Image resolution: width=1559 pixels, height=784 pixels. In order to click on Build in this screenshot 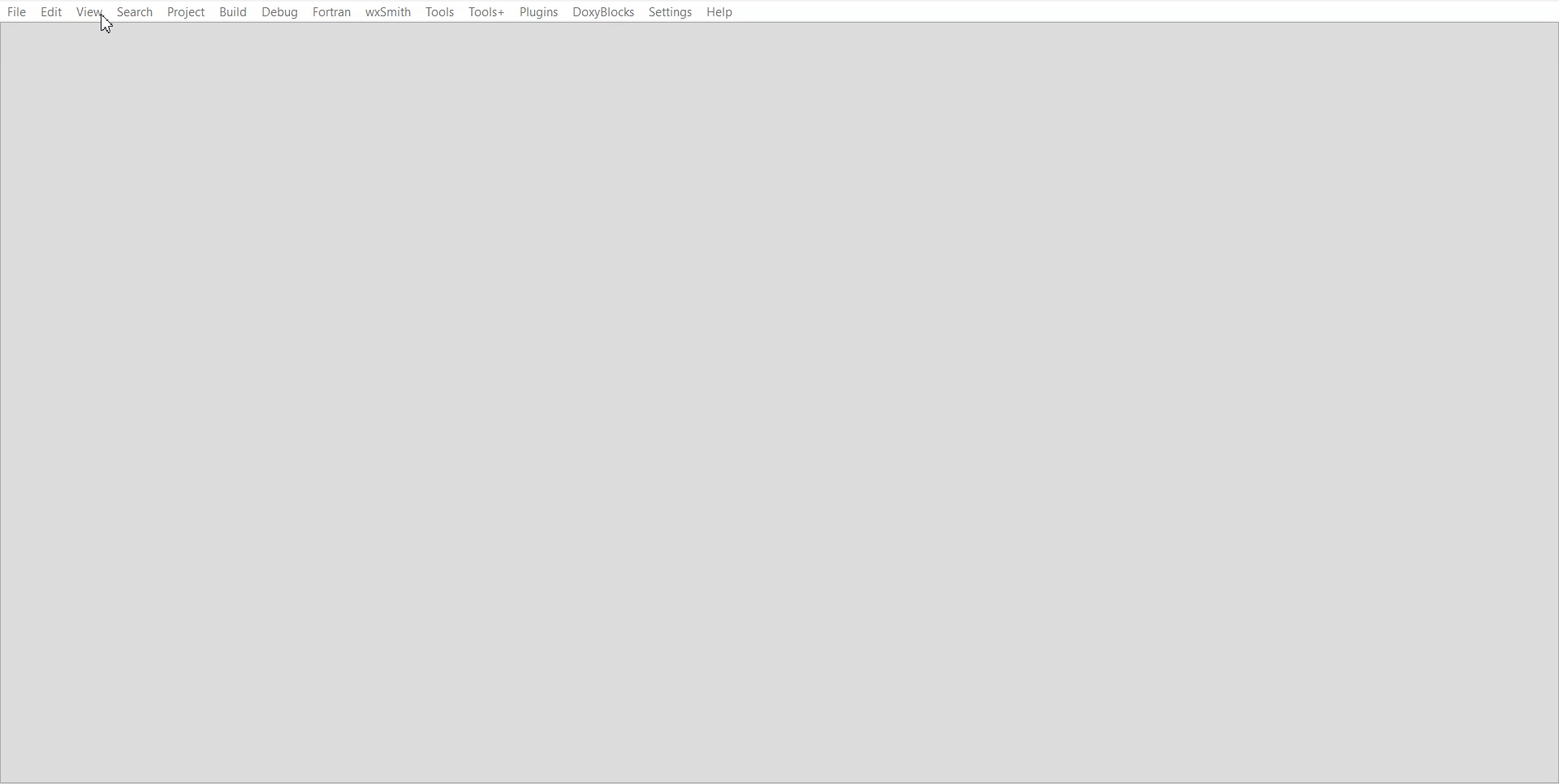, I will do `click(234, 12)`.